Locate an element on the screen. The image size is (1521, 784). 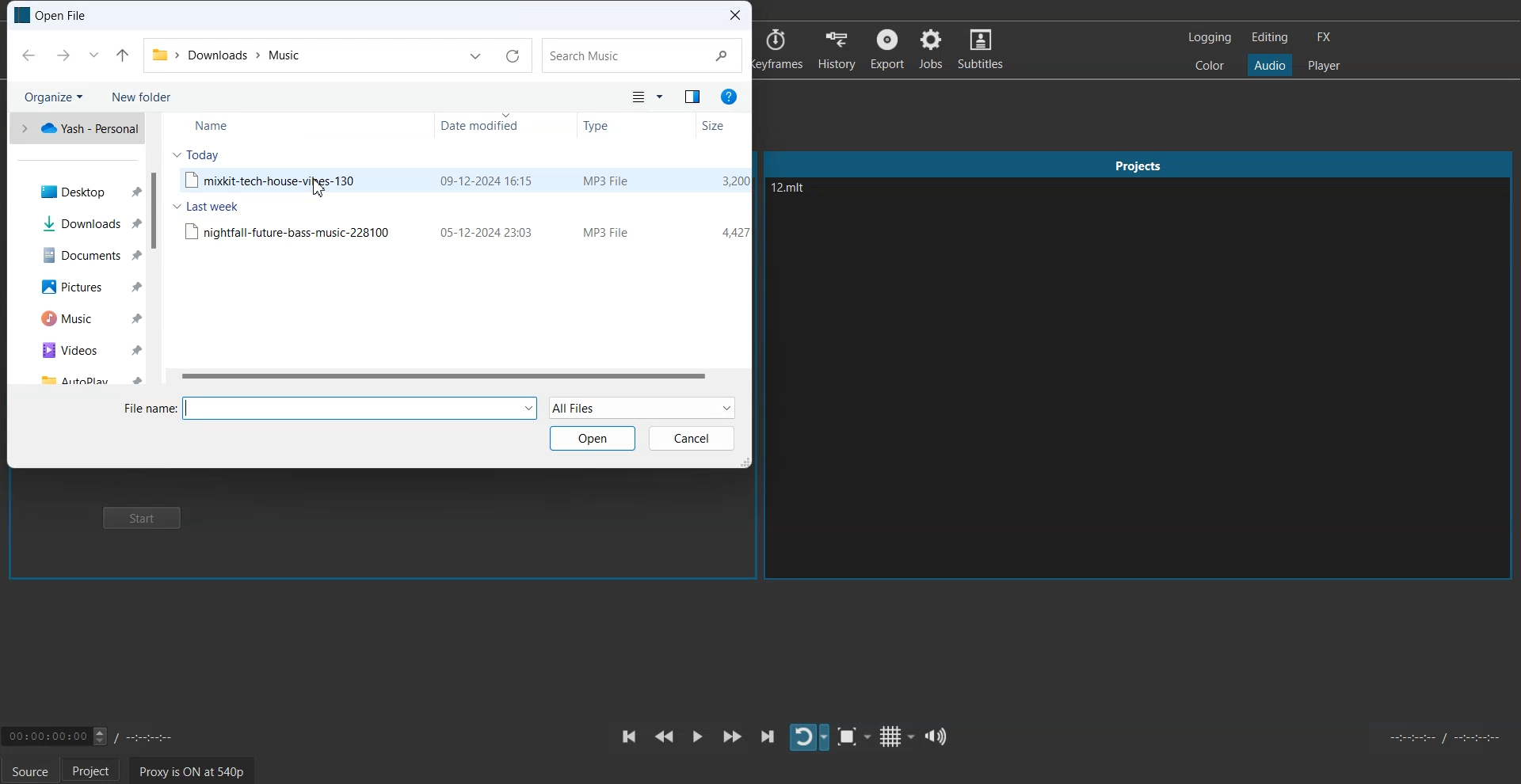
Toggle player looping is located at coordinates (808, 737).